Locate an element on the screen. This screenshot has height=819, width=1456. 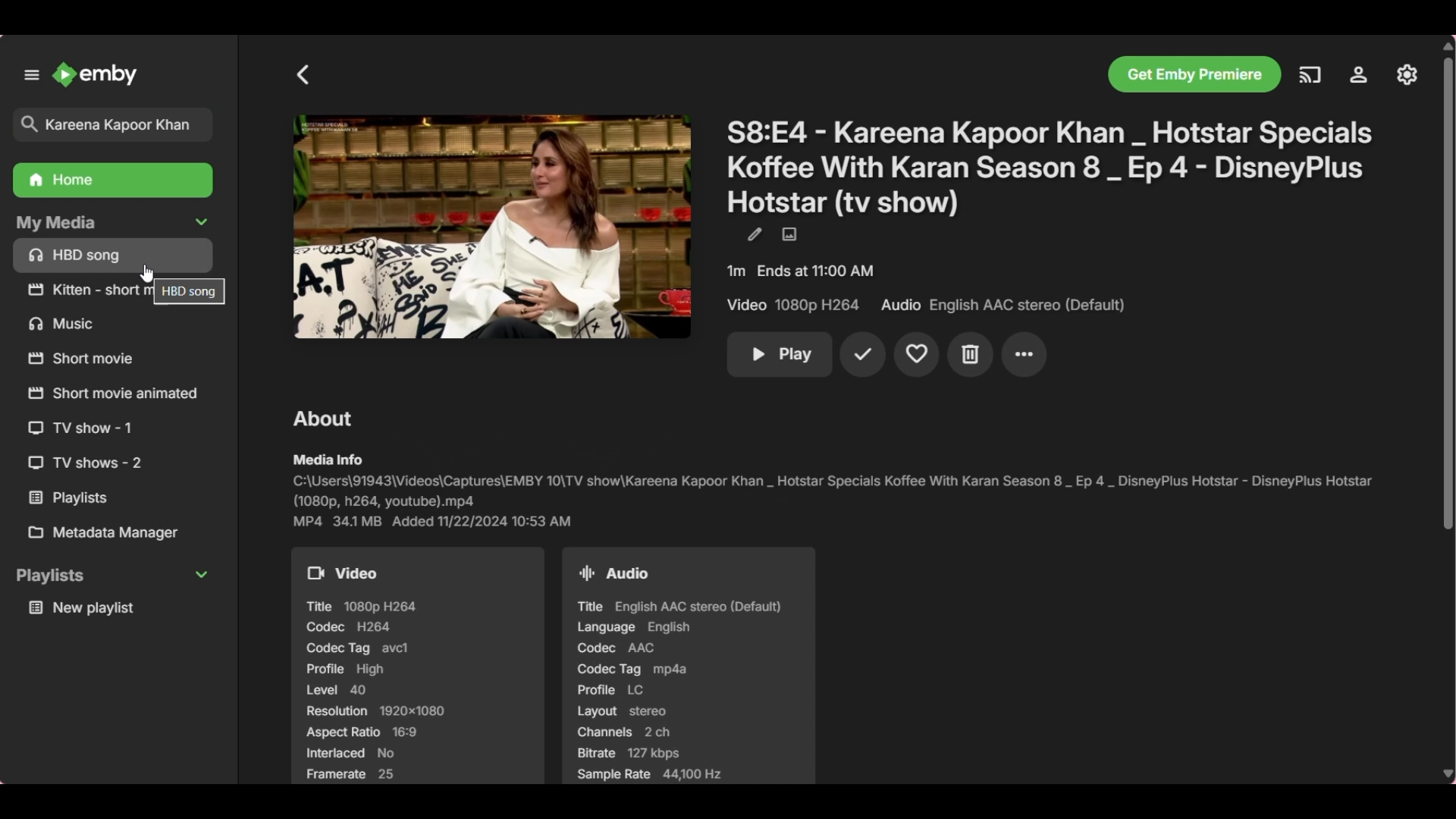
Media under playlists is located at coordinates (117, 609).